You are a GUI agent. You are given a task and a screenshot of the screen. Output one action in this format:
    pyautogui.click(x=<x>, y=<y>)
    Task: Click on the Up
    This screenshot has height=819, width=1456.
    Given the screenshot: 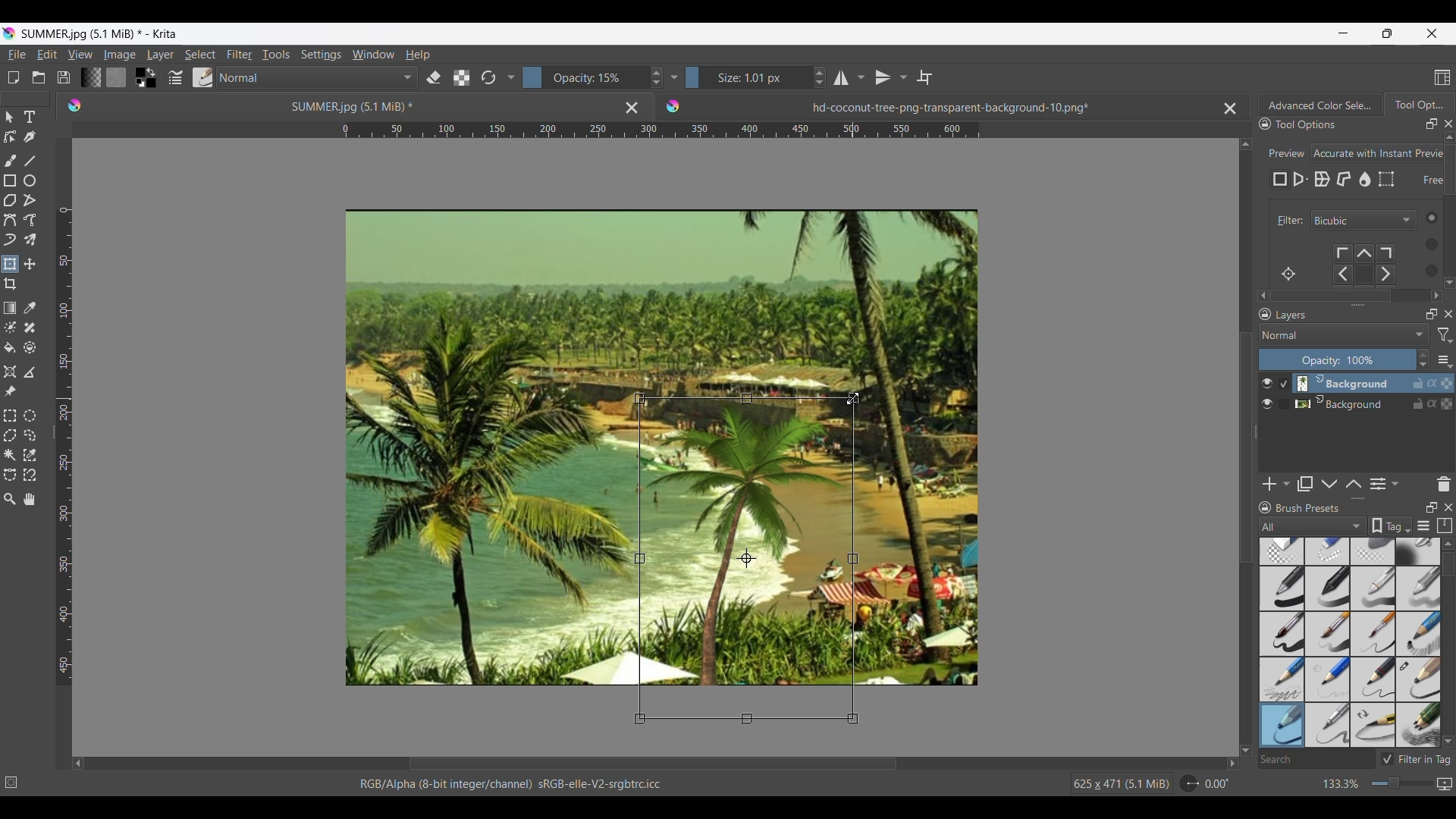 What is the action you would take?
    pyautogui.click(x=1246, y=141)
    